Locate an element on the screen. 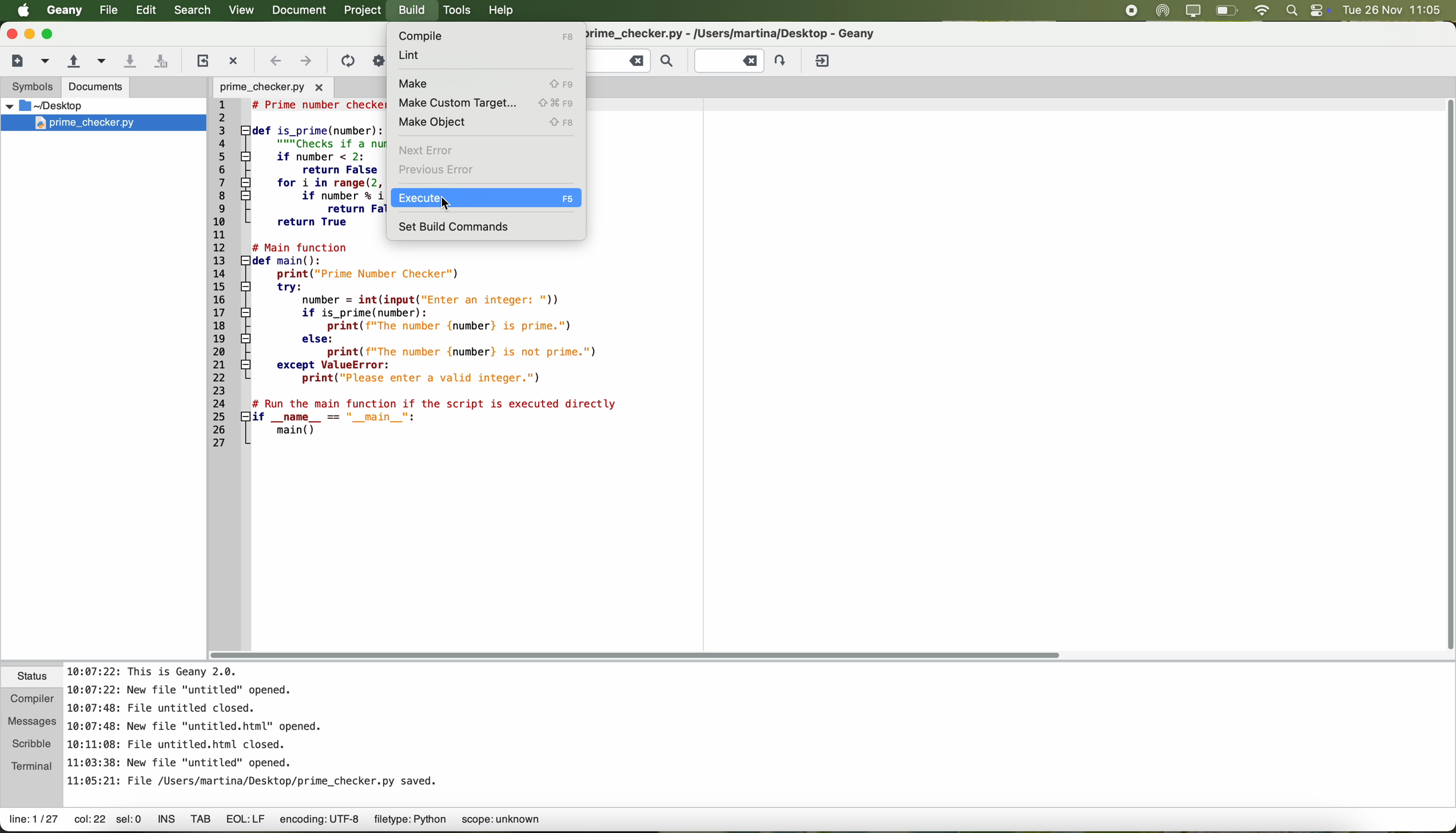 This screenshot has height=833, width=1456. notes is located at coordinates (254, 724).